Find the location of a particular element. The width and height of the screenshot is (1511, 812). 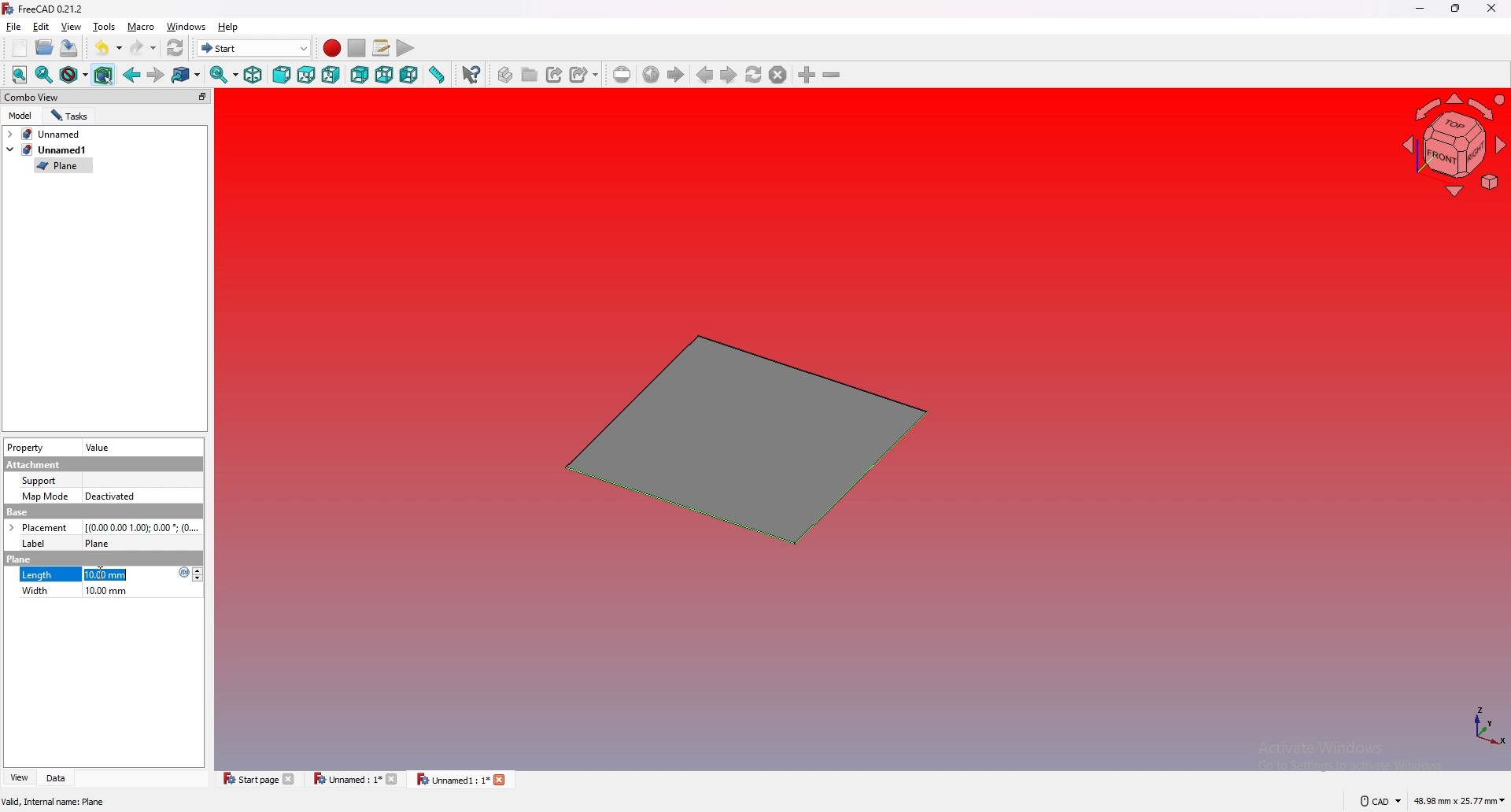

Unnamed : 1* is located at coordinates (356, 779).